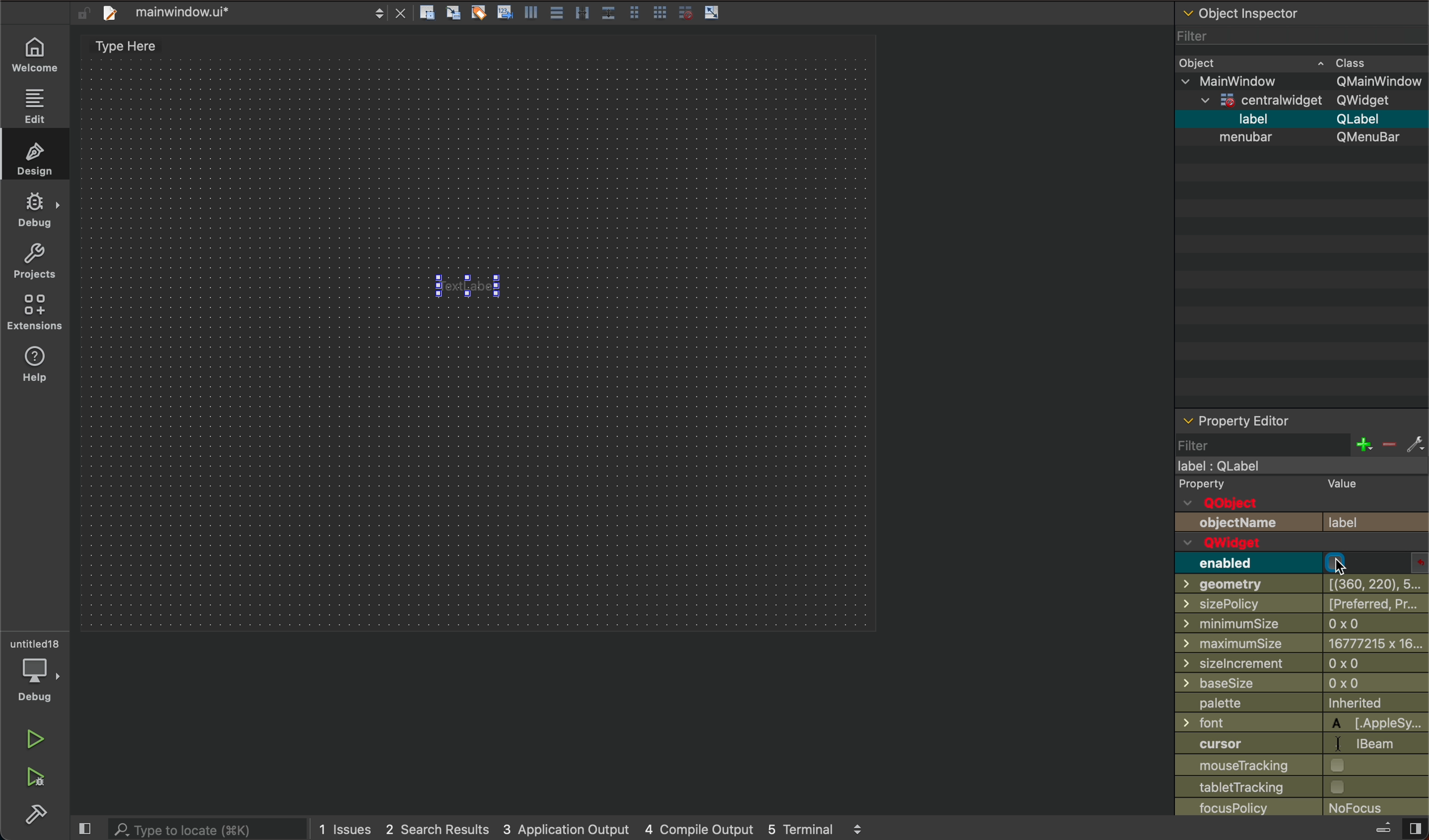 The image size is (1429, 840). What do you see at coordinates (1377, 743) in the screenshot?
I see `bear` at bounding box center [1377, 743].